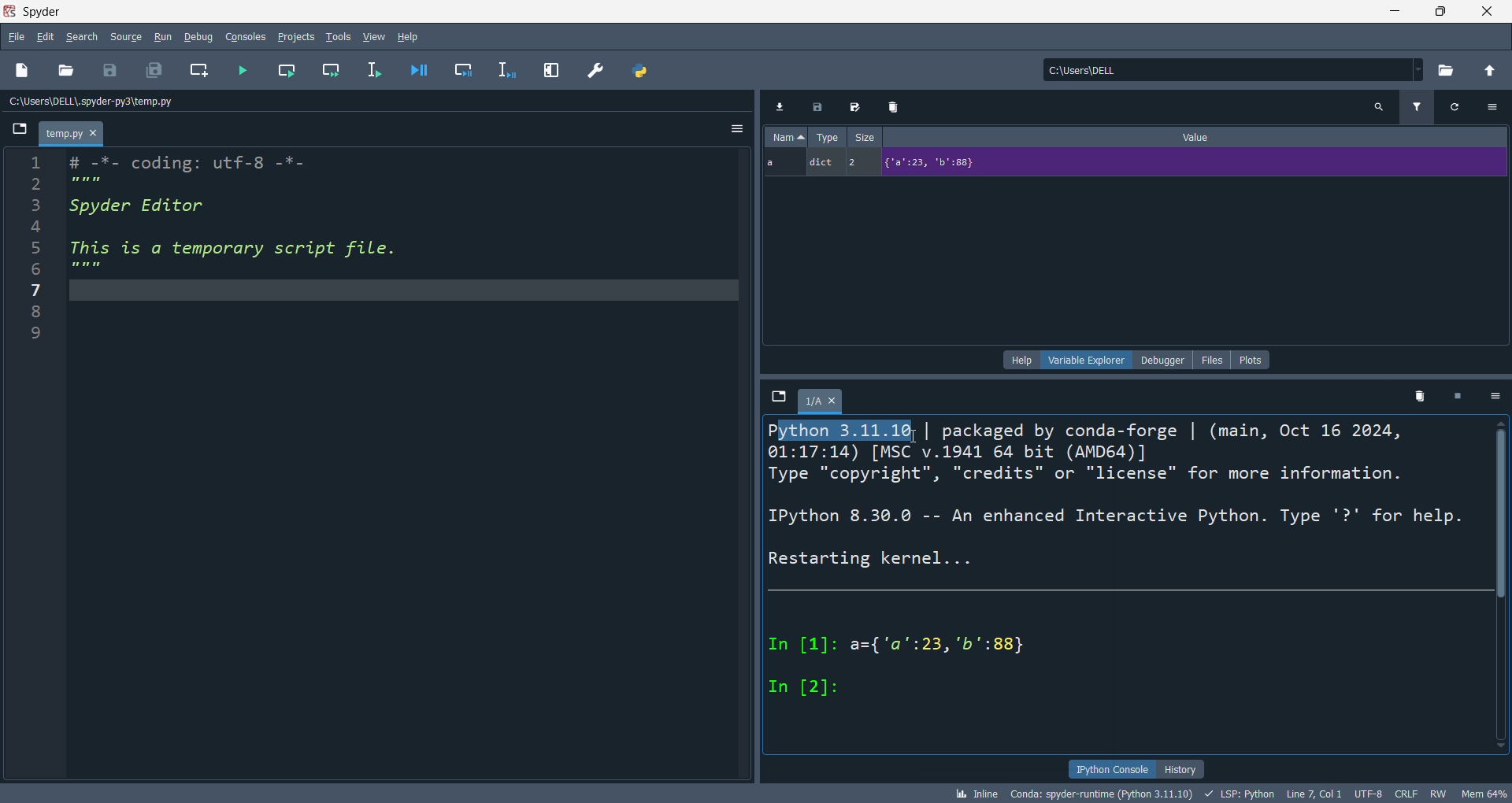 The width and height of the screenshot is (1512, 803). Describe the element at coordinates (737, 130) in the screenshot. I see `options` at that location.